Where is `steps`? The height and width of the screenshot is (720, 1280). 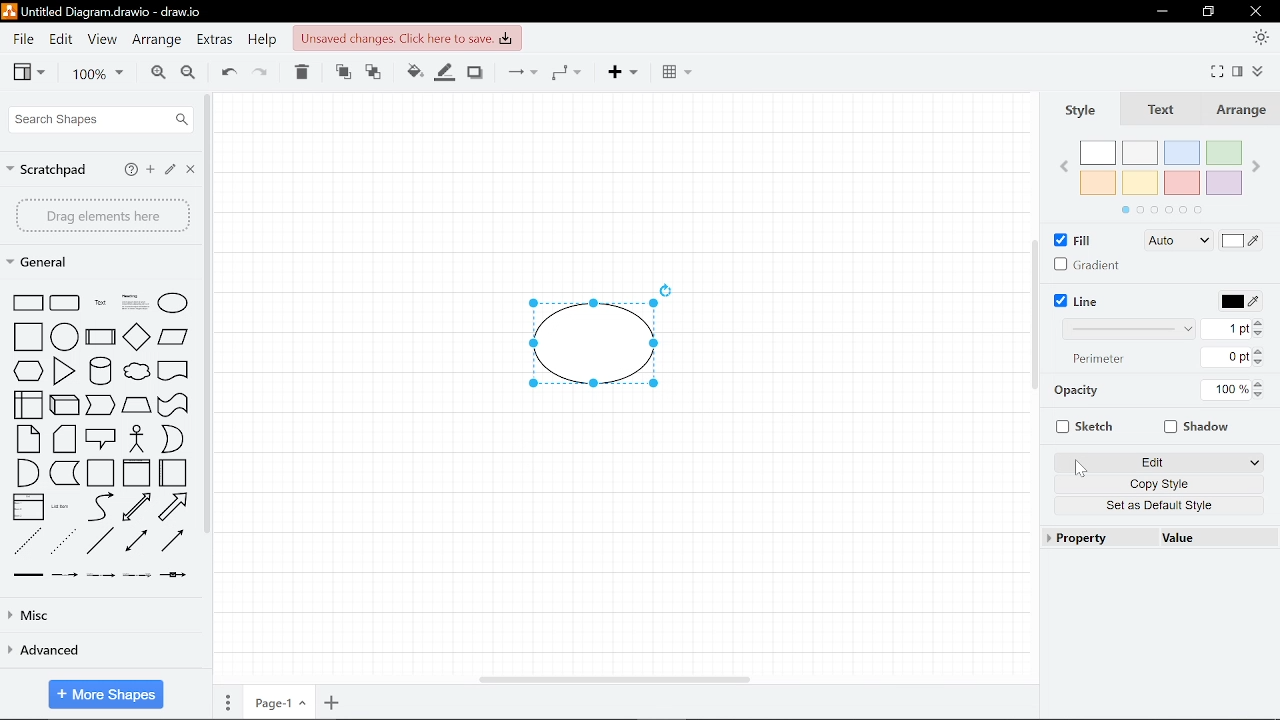 steps is located at coordinates (102, 406).